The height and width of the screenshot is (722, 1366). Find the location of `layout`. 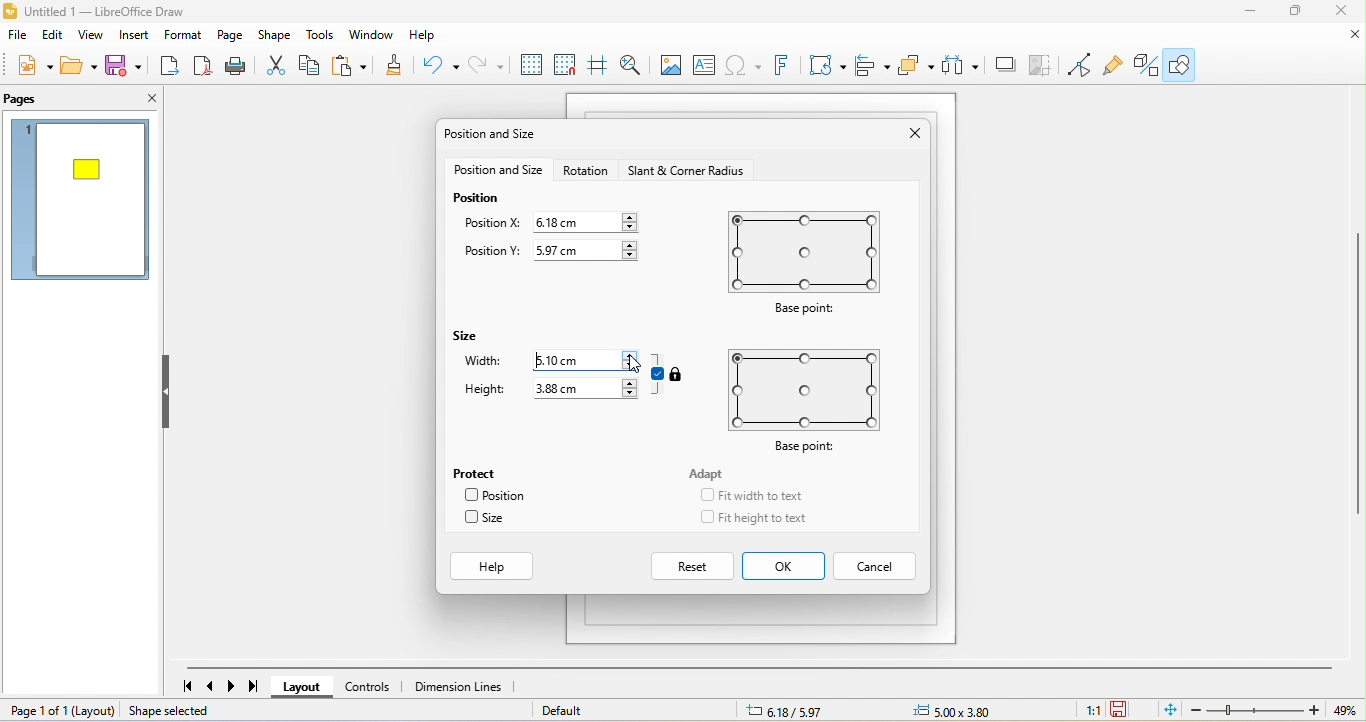

layout is located at coordinates (305, 689).